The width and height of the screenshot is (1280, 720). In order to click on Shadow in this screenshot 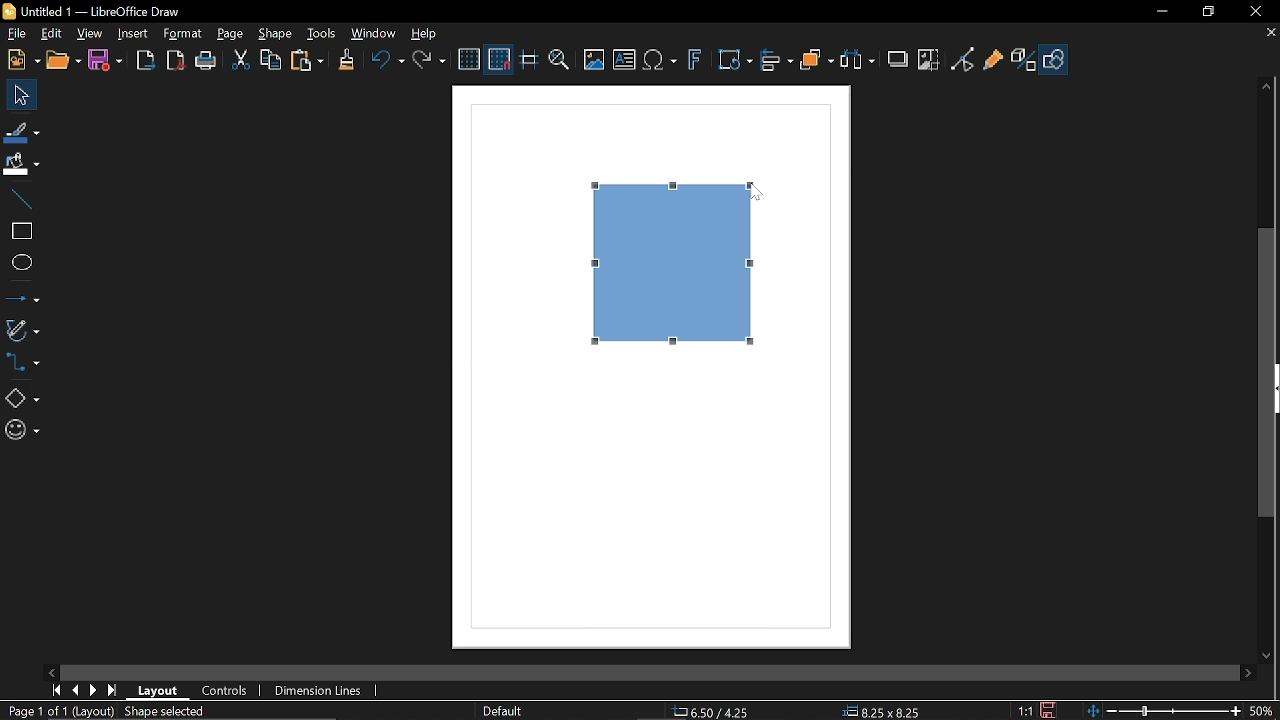, I will do `click(898, 61)`.